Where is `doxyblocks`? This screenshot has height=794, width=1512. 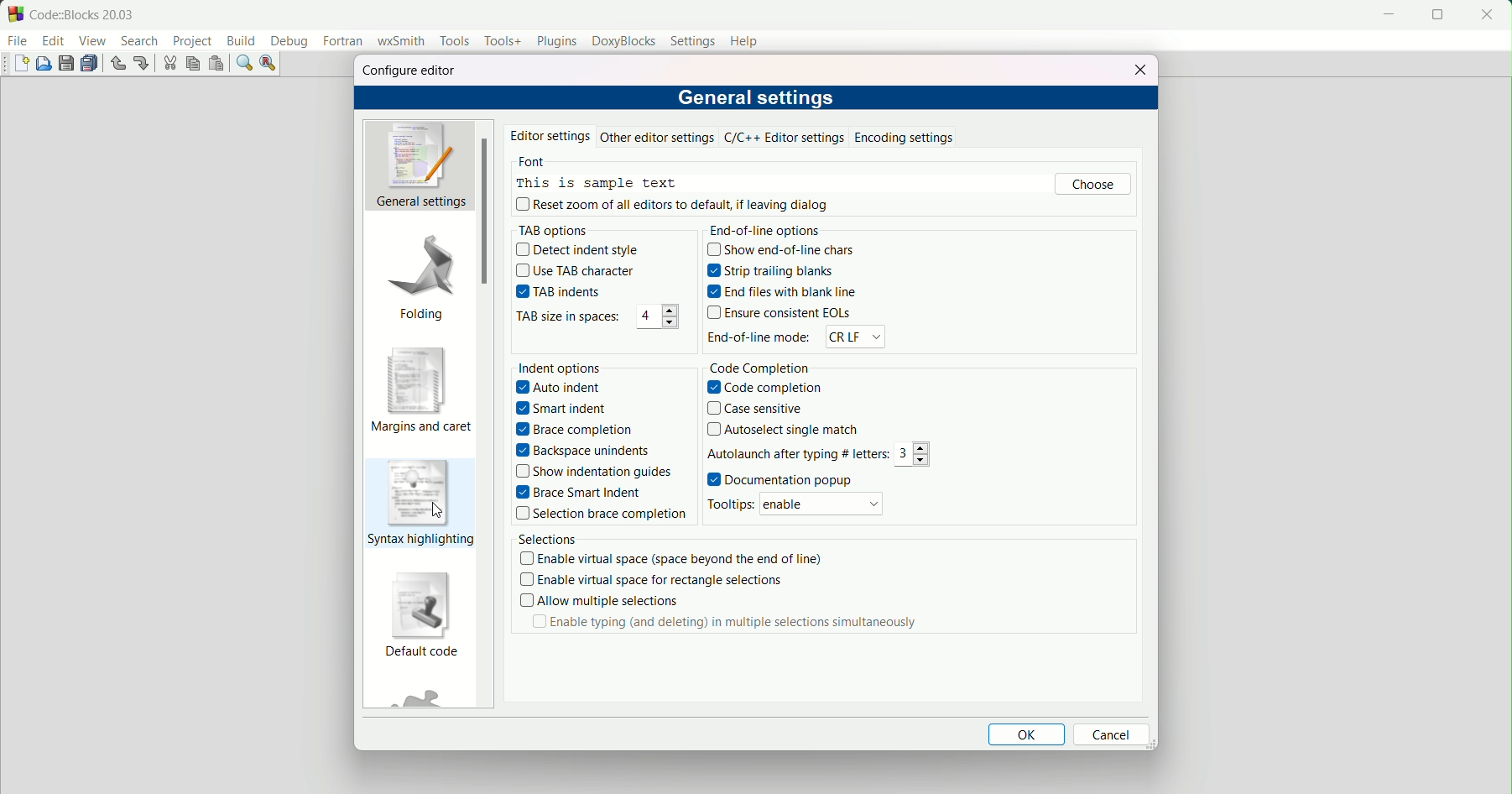 doxyblocks is located at coordinates (624, 41).